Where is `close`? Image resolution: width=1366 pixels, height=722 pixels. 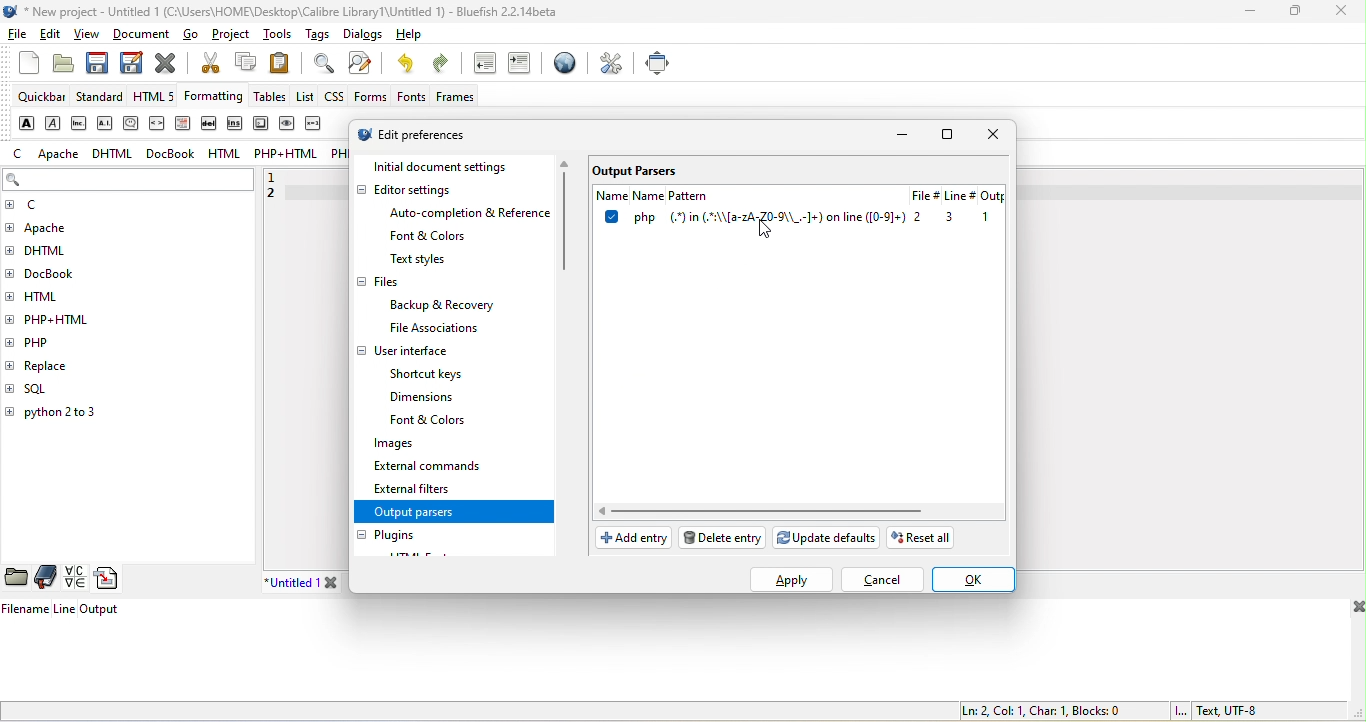
close is located at coordinates (1341, 12).